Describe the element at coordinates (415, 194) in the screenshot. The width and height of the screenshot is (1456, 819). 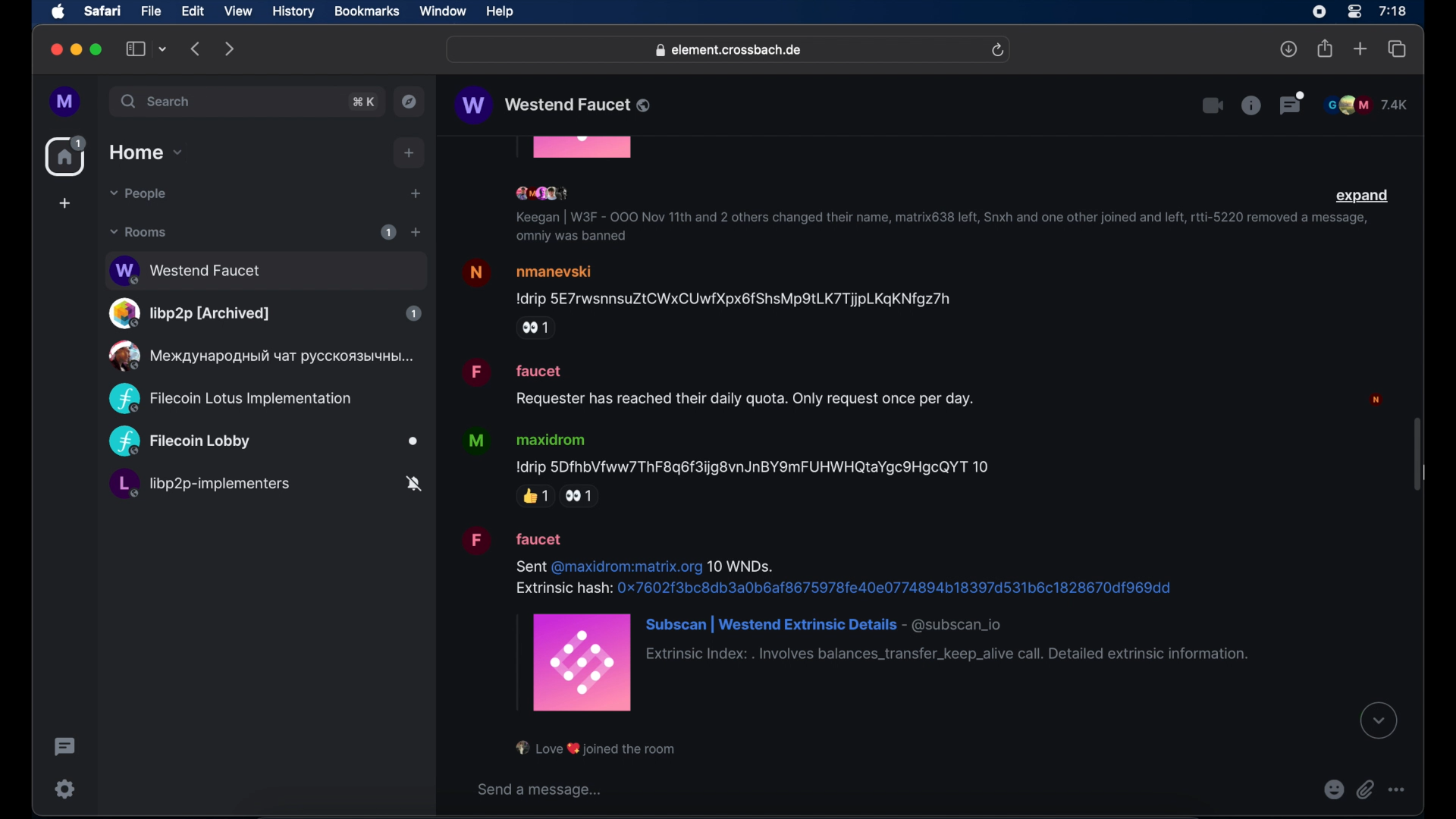
I see `start chat` at that location.